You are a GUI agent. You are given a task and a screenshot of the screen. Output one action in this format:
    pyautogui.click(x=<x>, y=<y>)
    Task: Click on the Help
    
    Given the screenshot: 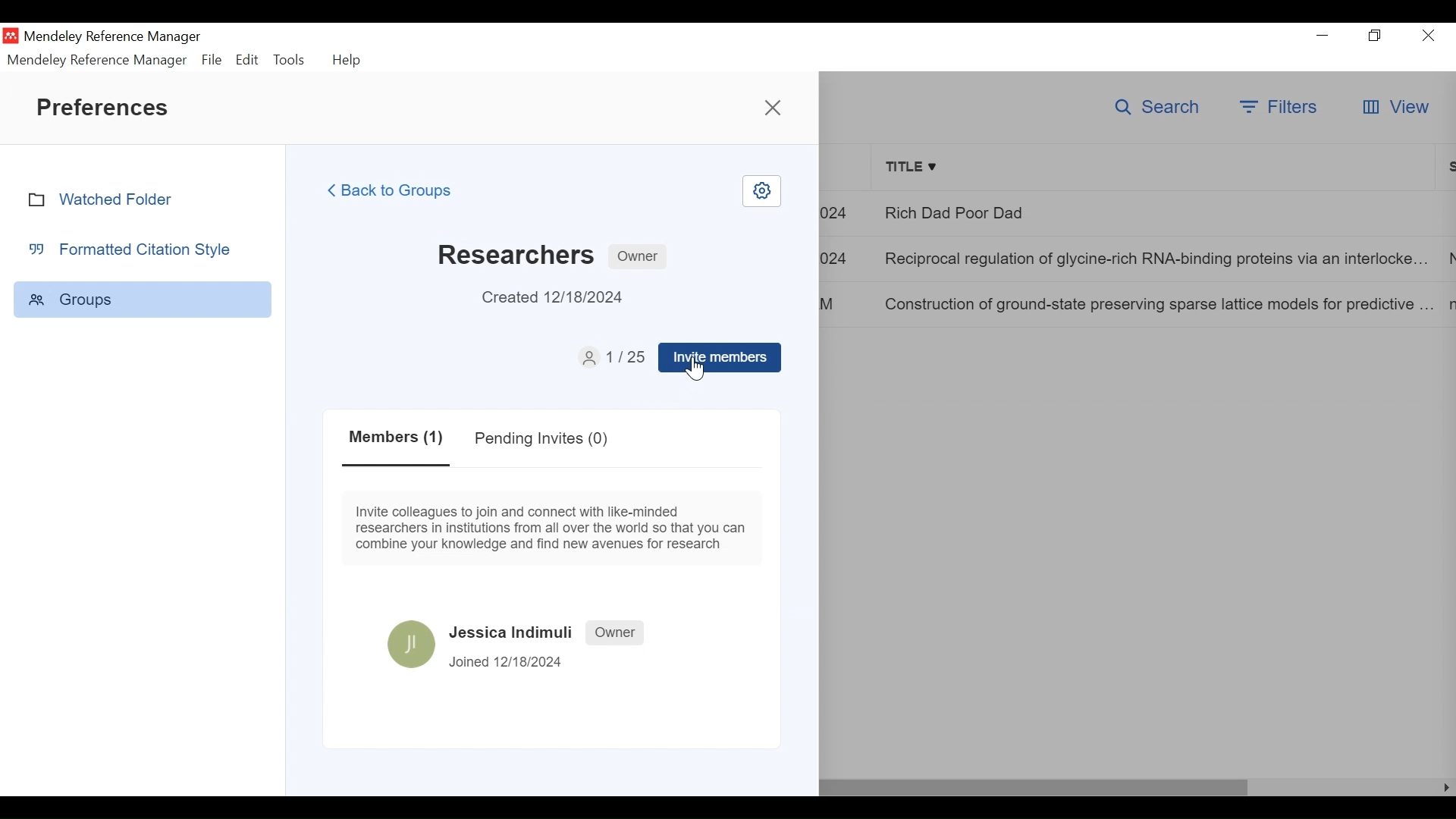 What is the action you would take?
    pyautogui.click(x=349, y=60)
    